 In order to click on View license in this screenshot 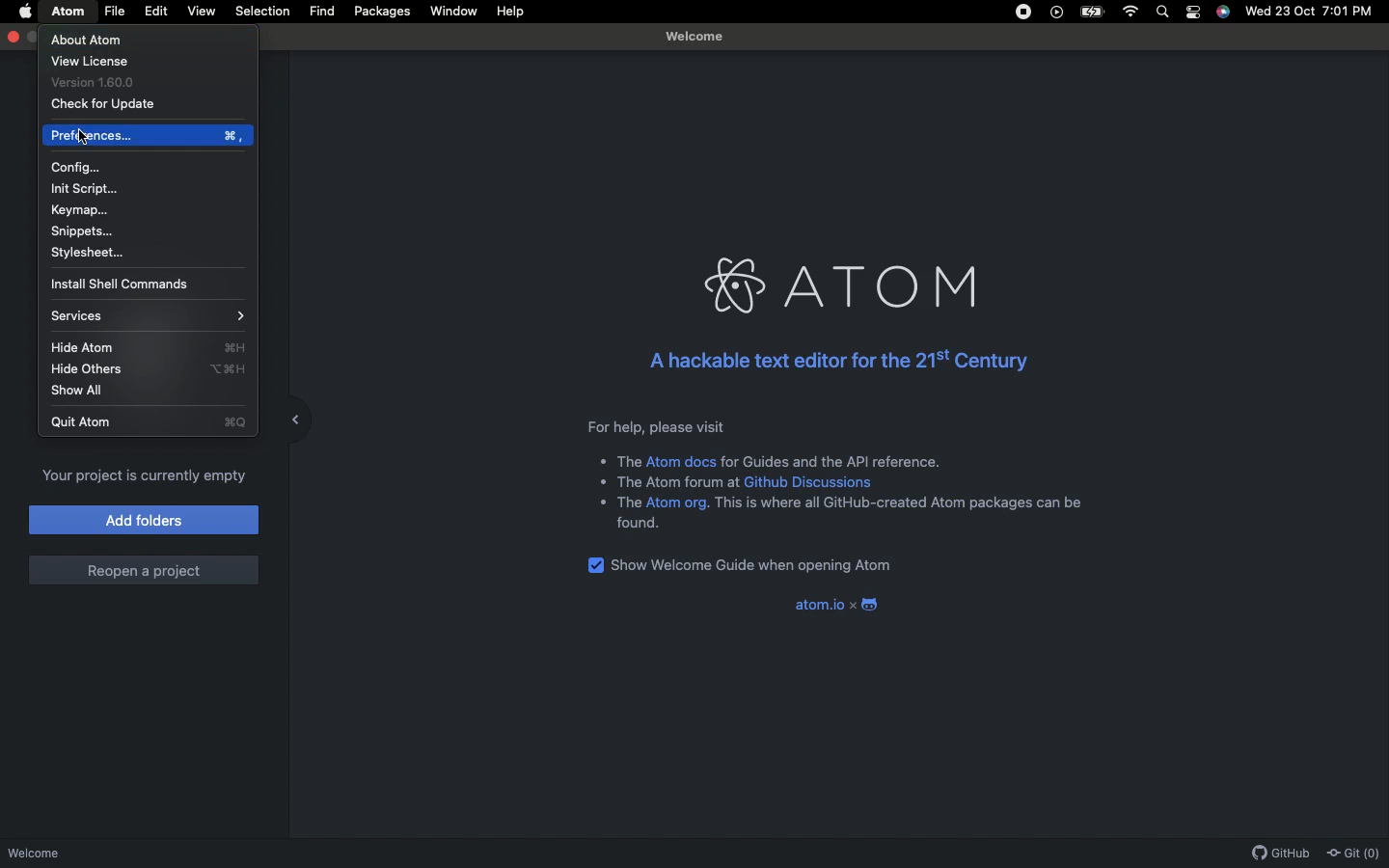, I will do `click(89, 62)`.